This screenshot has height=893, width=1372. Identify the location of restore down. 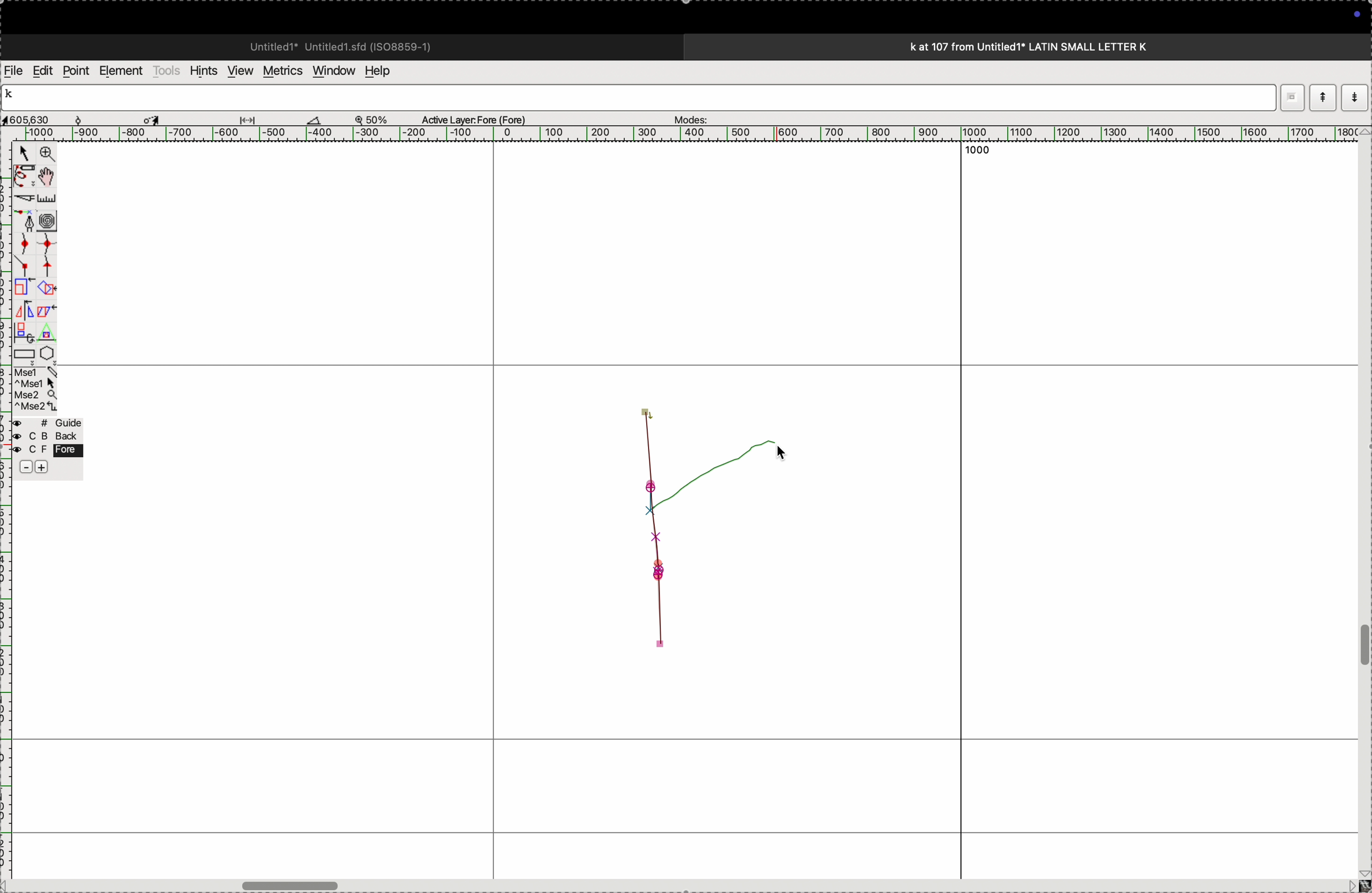
(1289, 93).